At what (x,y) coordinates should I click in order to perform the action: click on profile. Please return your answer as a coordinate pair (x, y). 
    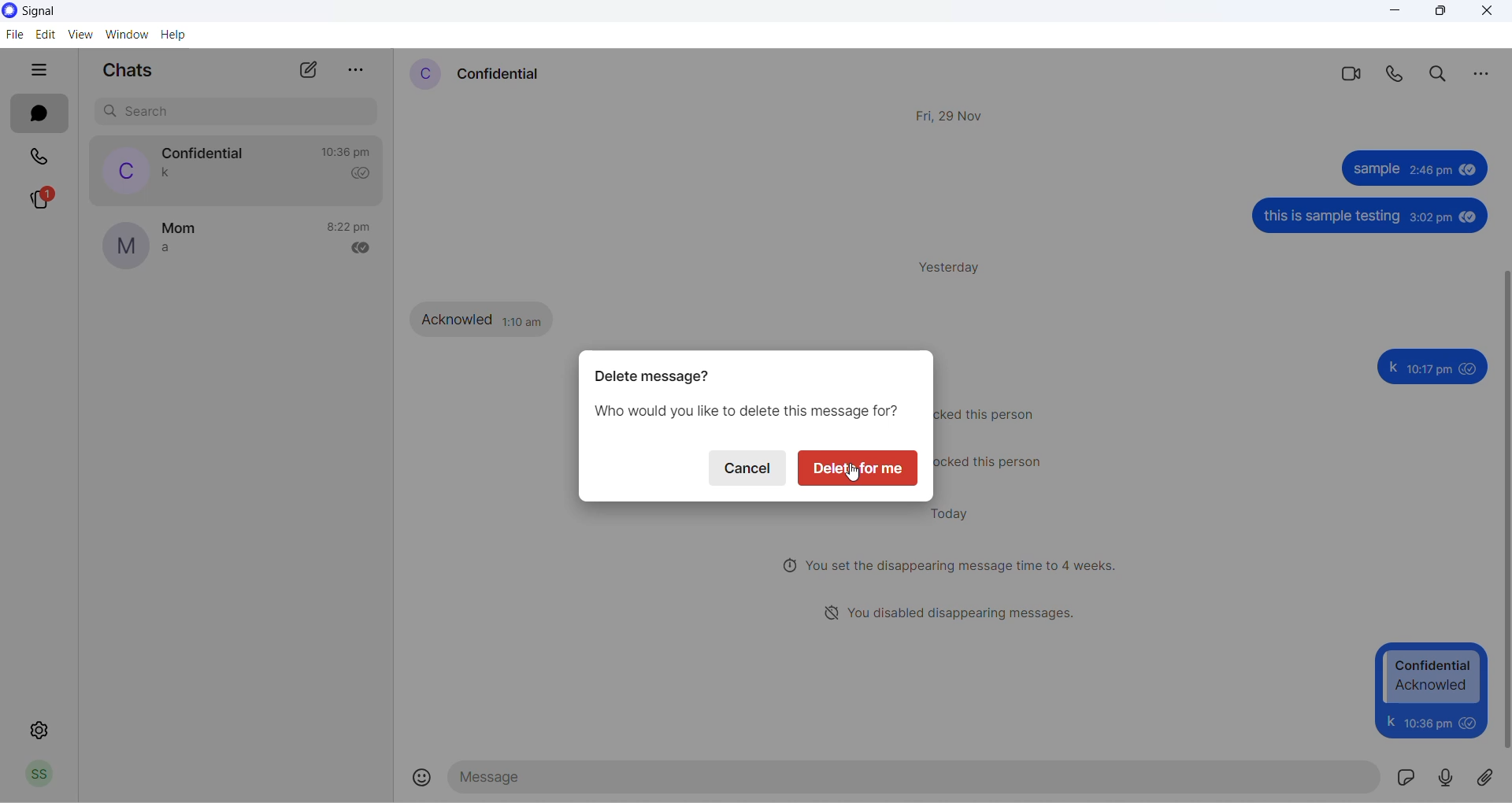
    Looking at the image, I should click on (46, 775).